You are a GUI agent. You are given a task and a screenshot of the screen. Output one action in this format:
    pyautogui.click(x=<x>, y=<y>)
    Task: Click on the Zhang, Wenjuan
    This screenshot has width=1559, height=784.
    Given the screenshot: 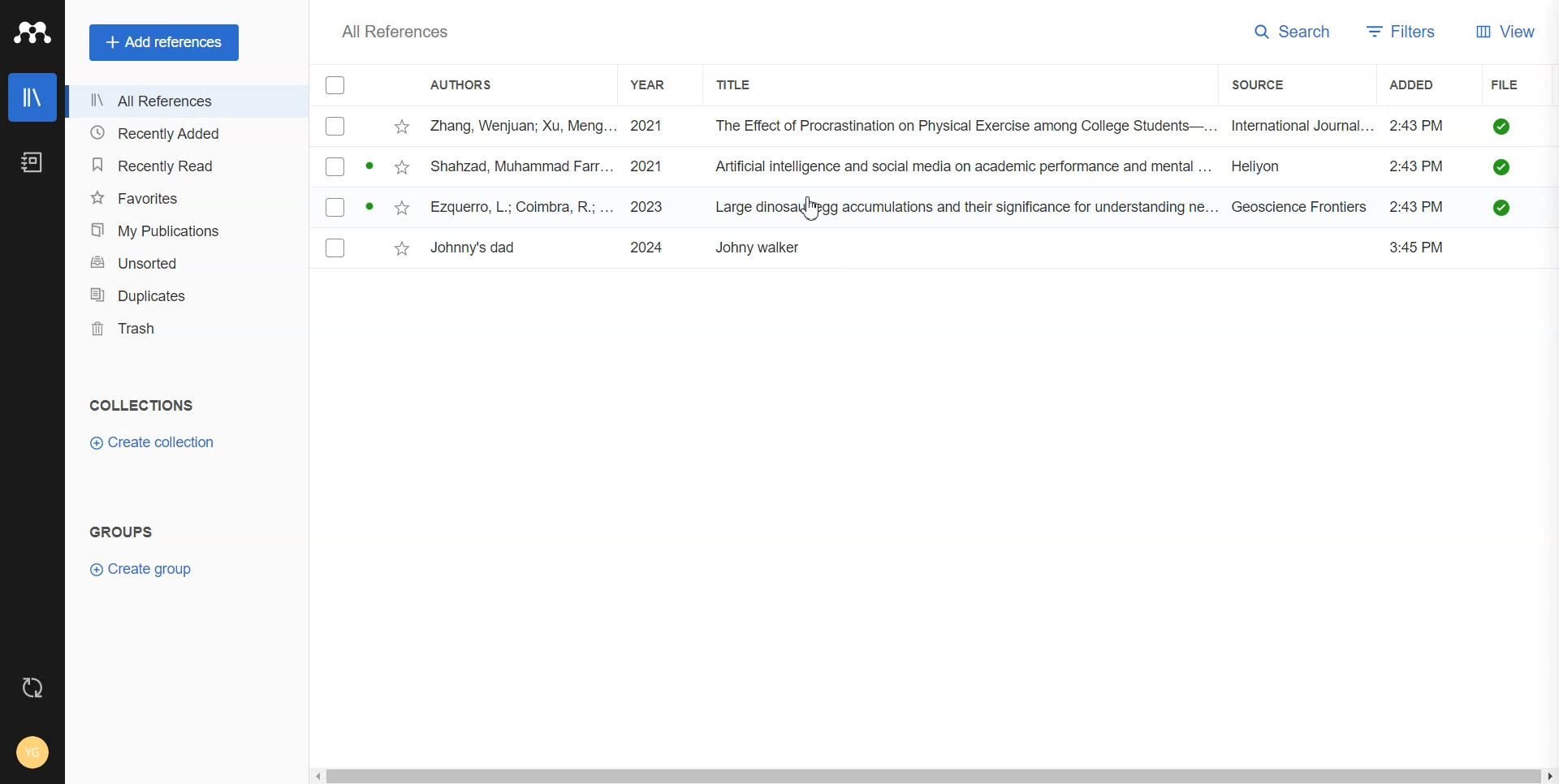 What is the action you would take?
    pyautogui.click(x=523, y=126)
    